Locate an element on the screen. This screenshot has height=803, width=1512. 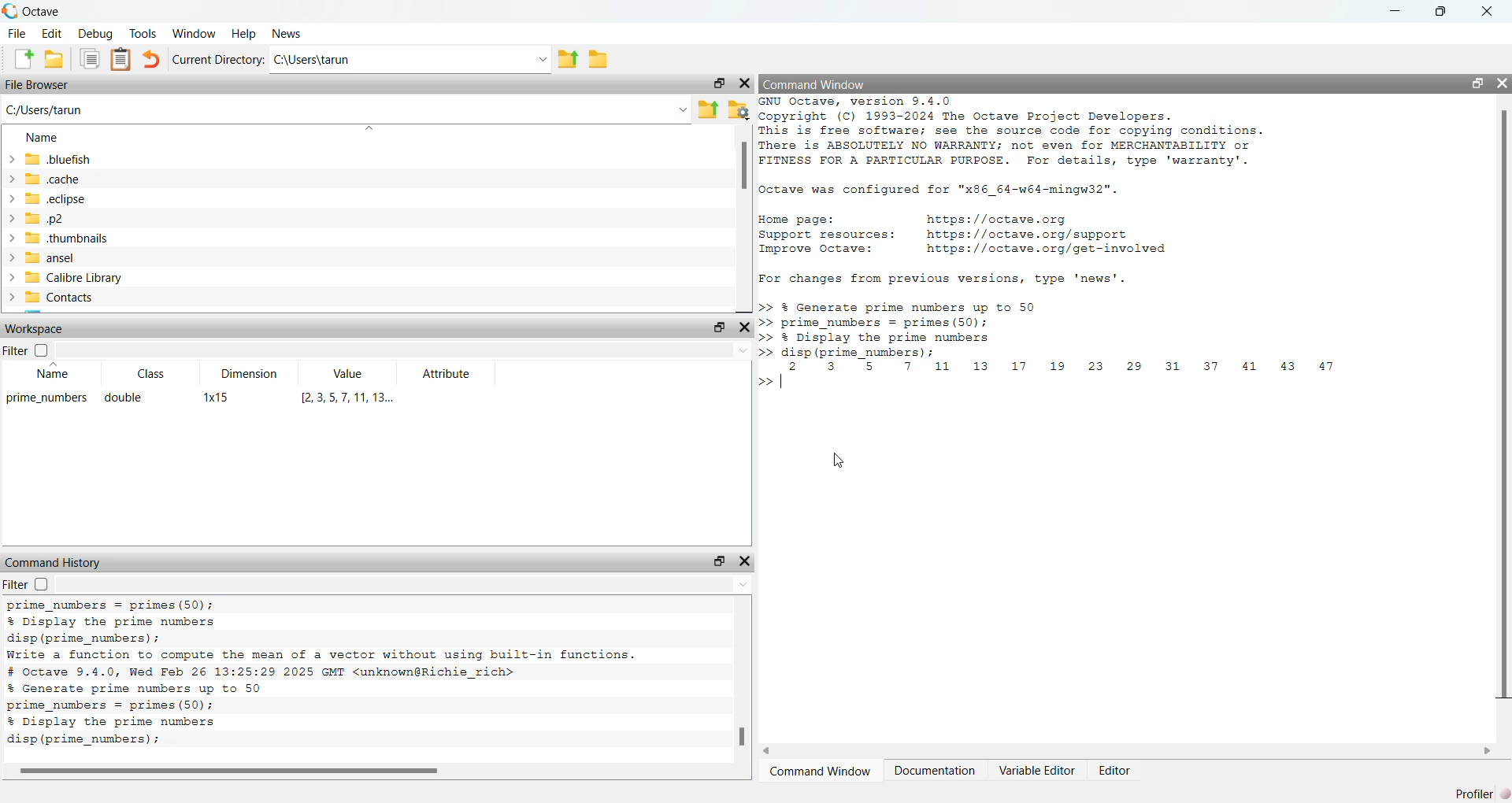
add folder is located at coordinates (54, 60).